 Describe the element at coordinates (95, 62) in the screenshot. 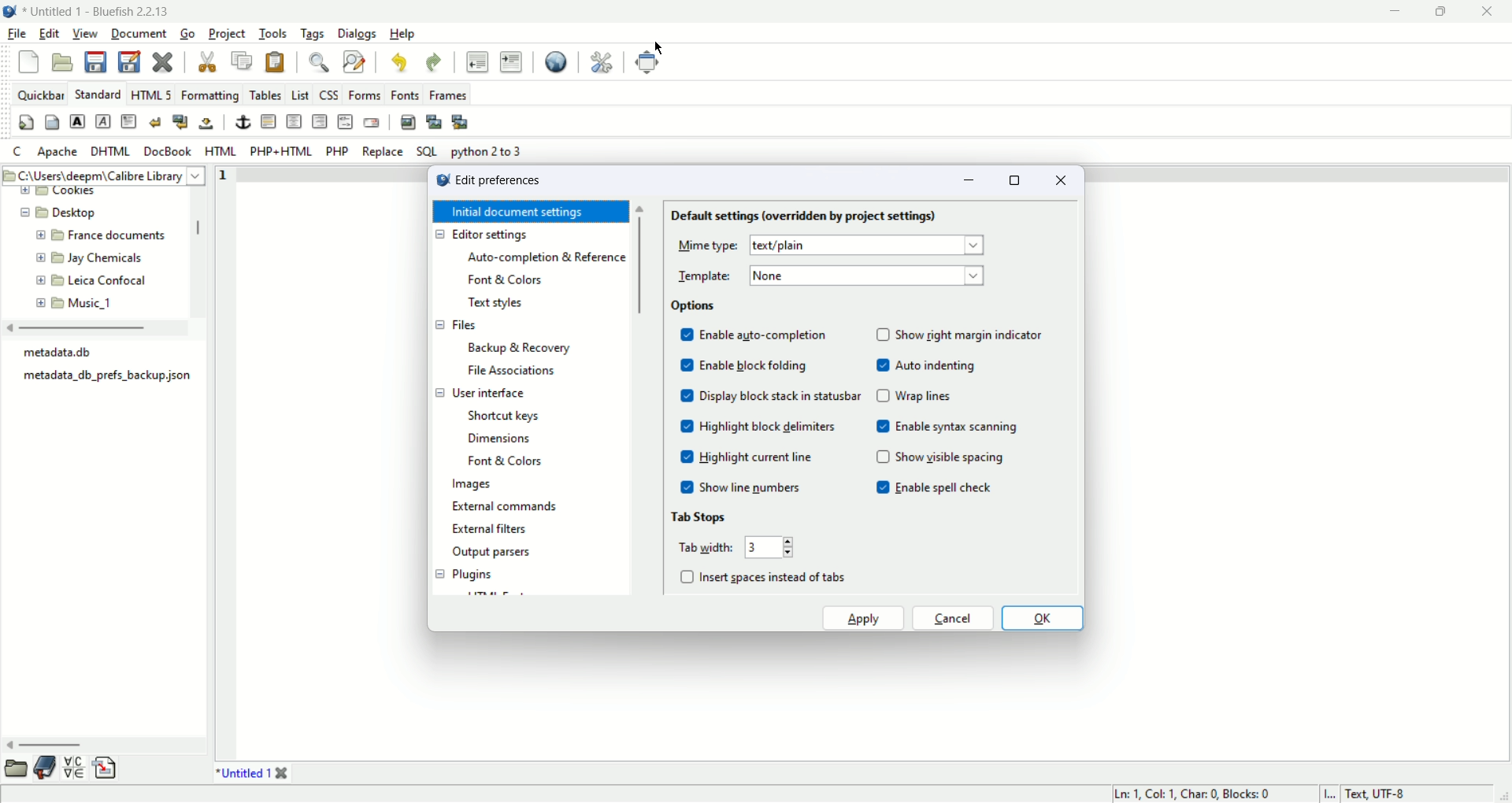

I see `save` at that location.